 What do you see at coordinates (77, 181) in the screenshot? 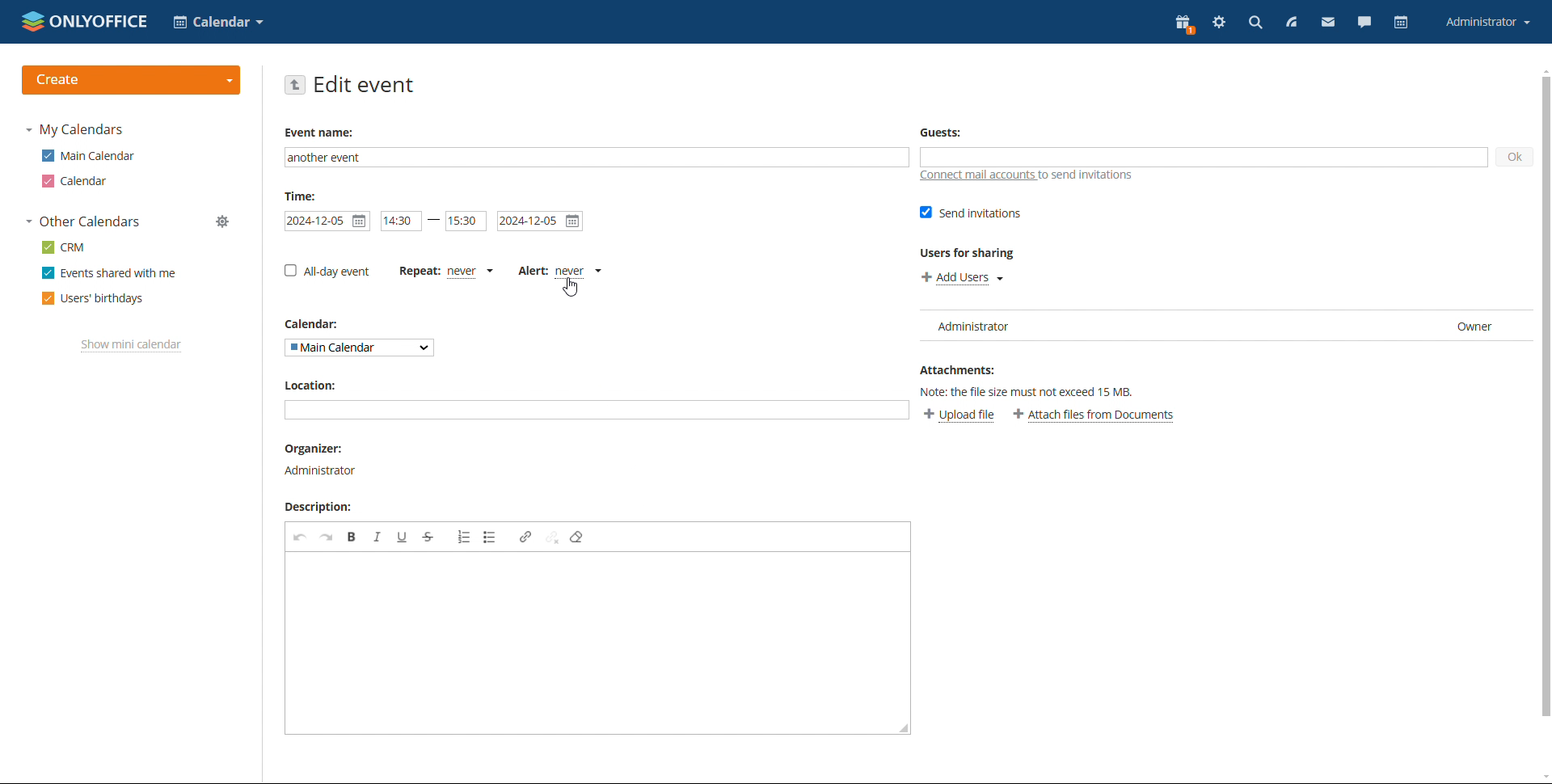
I see `calendar` at bounding box center [77, 181].